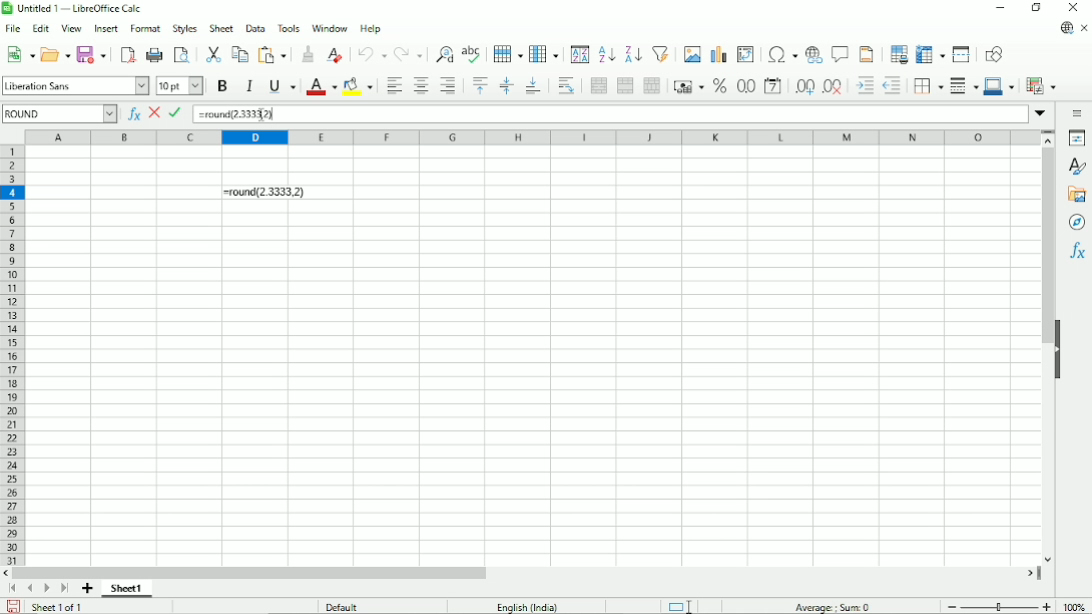 The height and width of the screenshot is (614, 1092). Describe the element at coordinates (1078, 167) in the screenshot. I see `Styles` at that location.